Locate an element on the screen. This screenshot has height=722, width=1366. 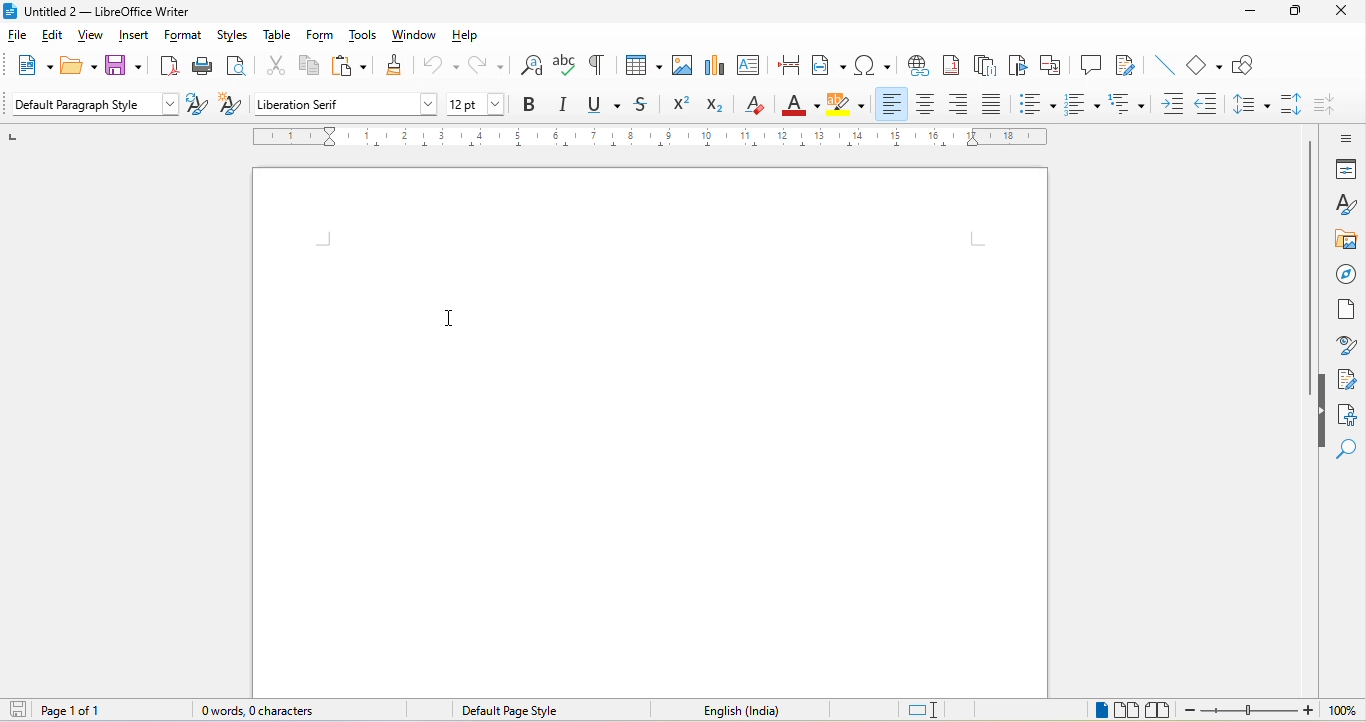
increase indent is located at coordinates (1175, 104).